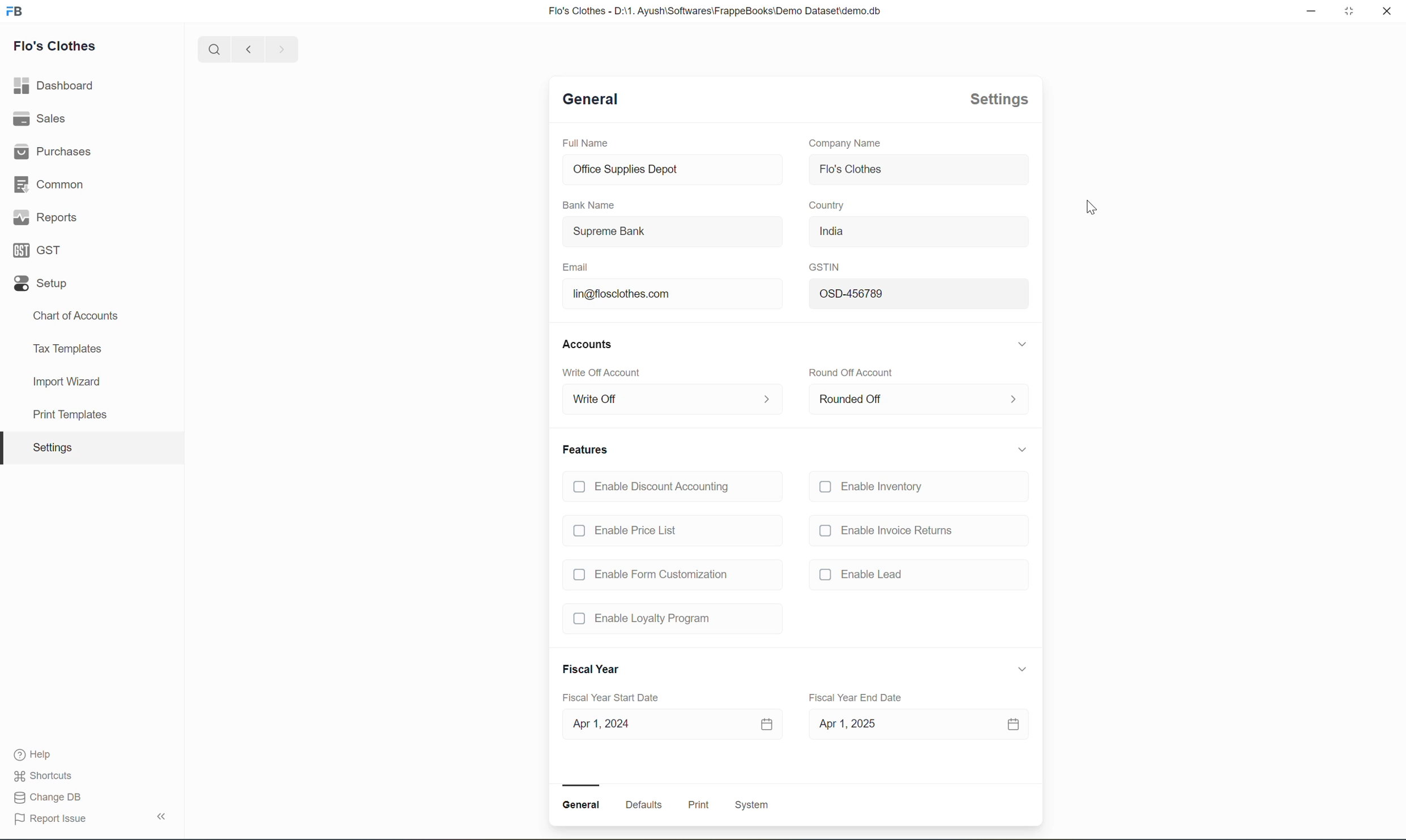 The height and width of the screenshot is (840, 1406). Describe the element at coordinates (855, 373) in the screenshot. I see `Round Off Account` at that location.